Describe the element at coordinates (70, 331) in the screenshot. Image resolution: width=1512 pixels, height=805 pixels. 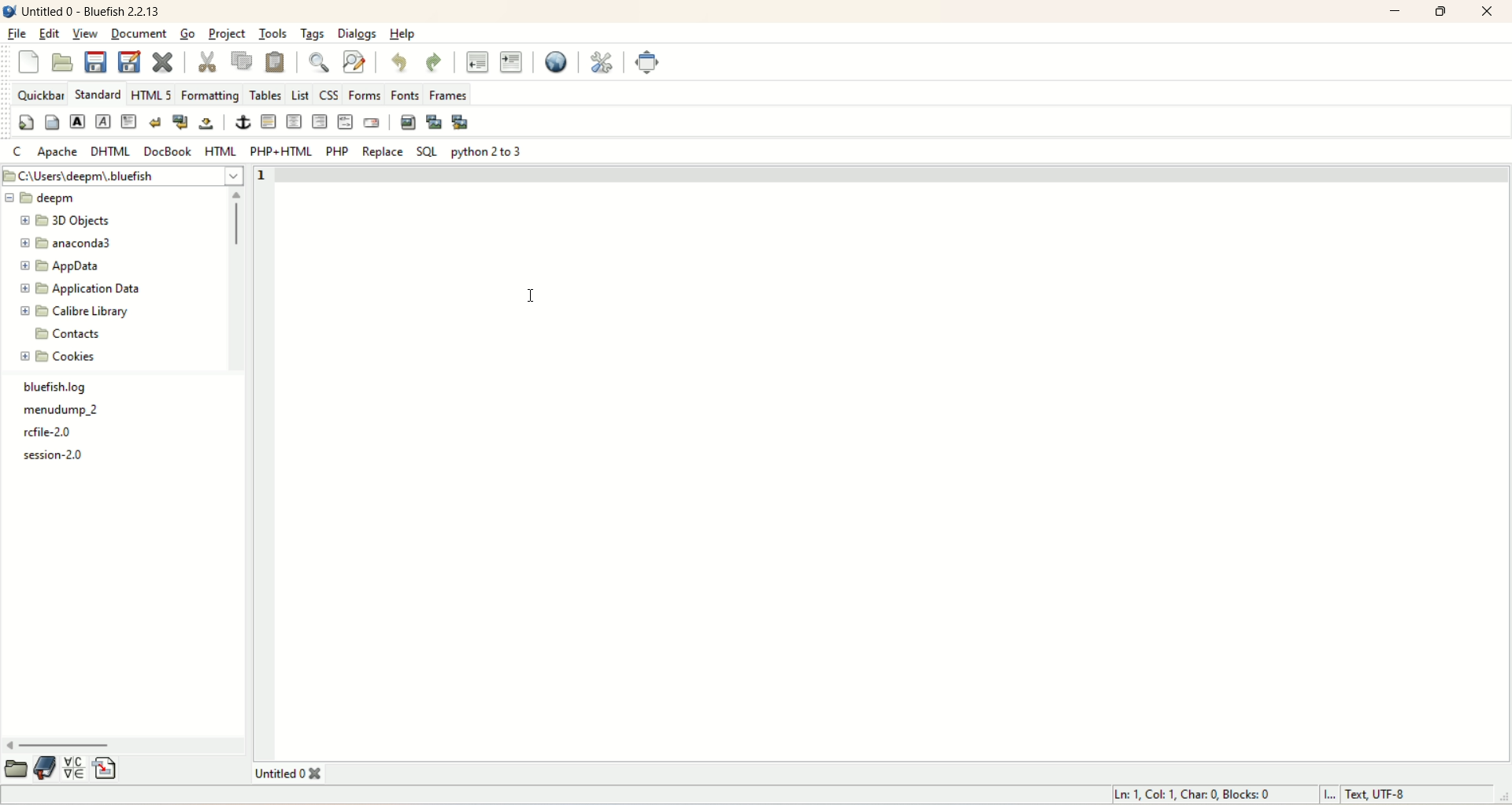
I see `ontacts` at that location.